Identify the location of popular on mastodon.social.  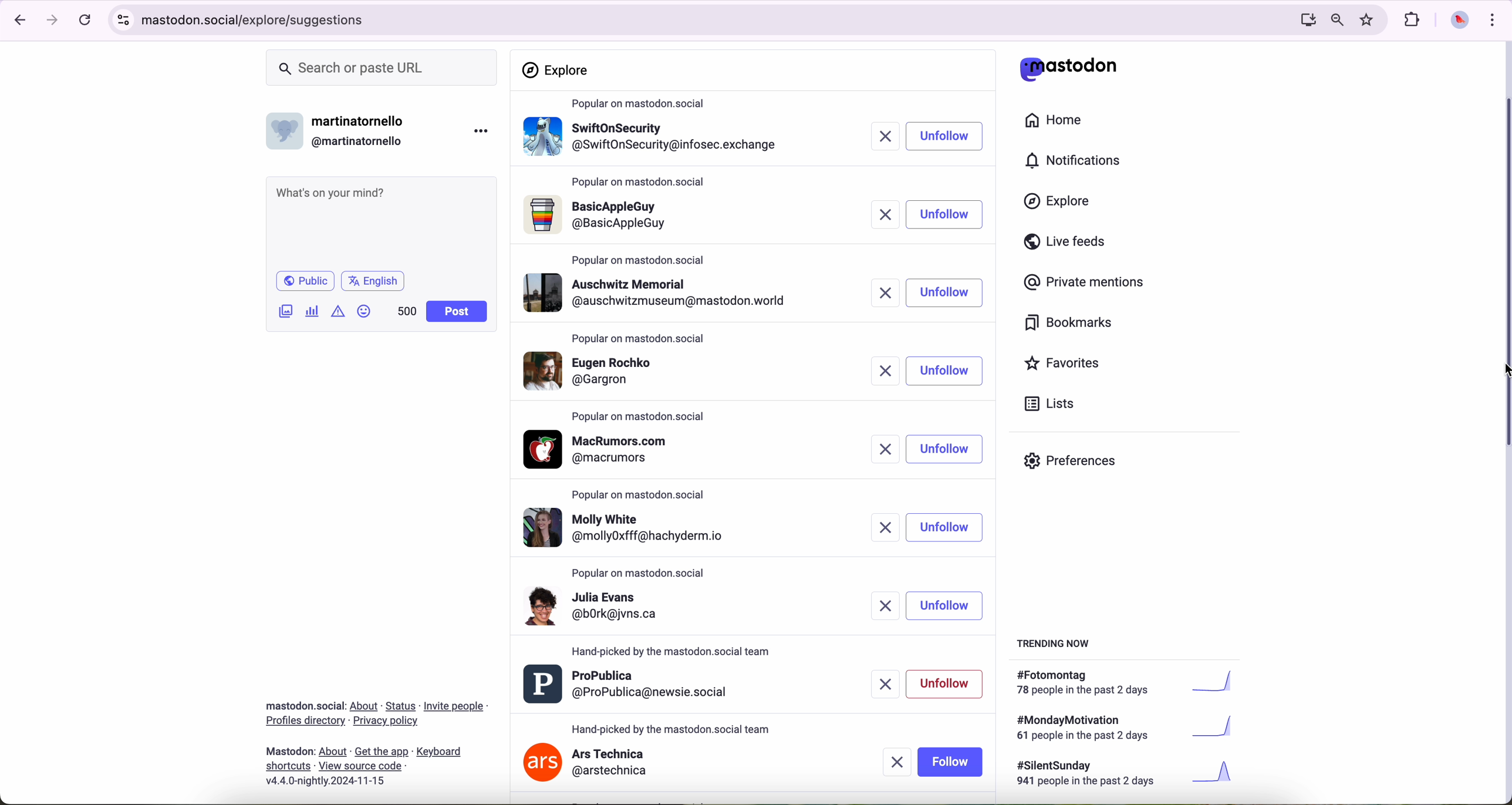
(640, 258).